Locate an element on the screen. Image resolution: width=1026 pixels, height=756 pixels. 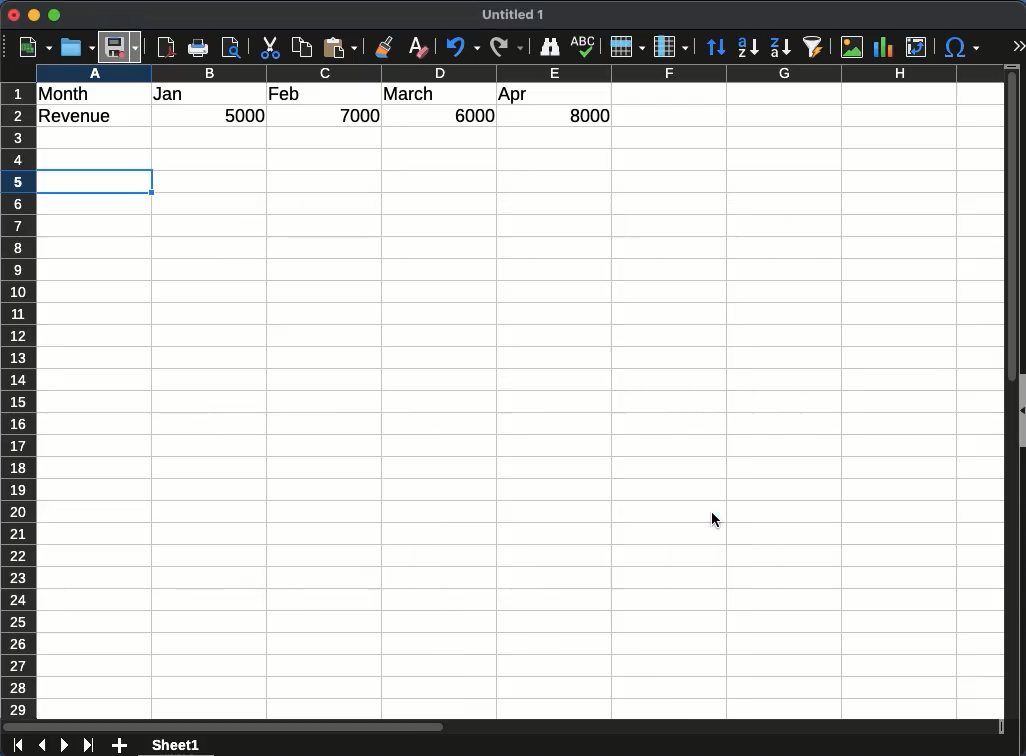
pdf reader is located at coordinates (166, 48).